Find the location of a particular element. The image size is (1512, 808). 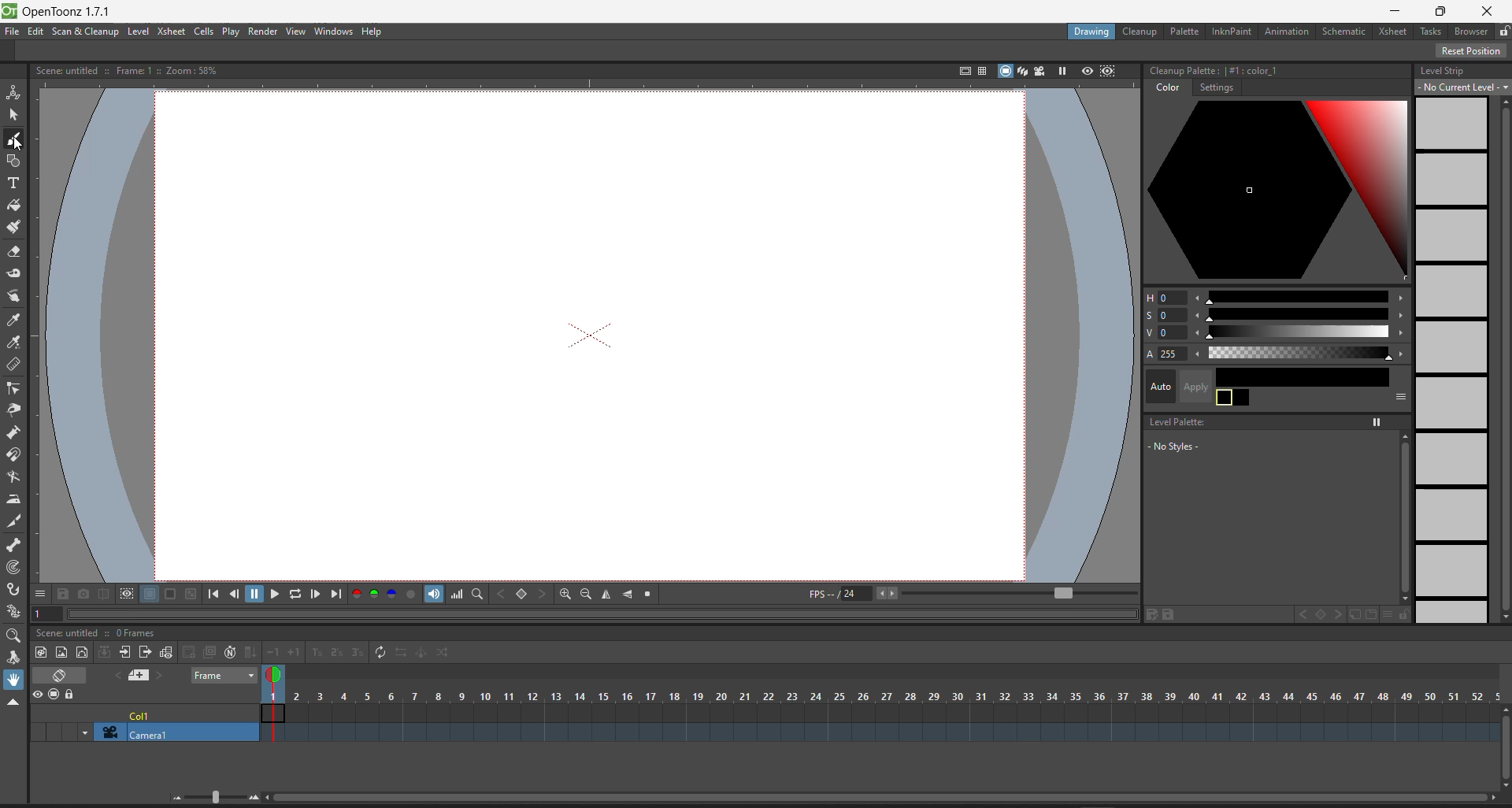

palette is located at coordinates (1184, 32).